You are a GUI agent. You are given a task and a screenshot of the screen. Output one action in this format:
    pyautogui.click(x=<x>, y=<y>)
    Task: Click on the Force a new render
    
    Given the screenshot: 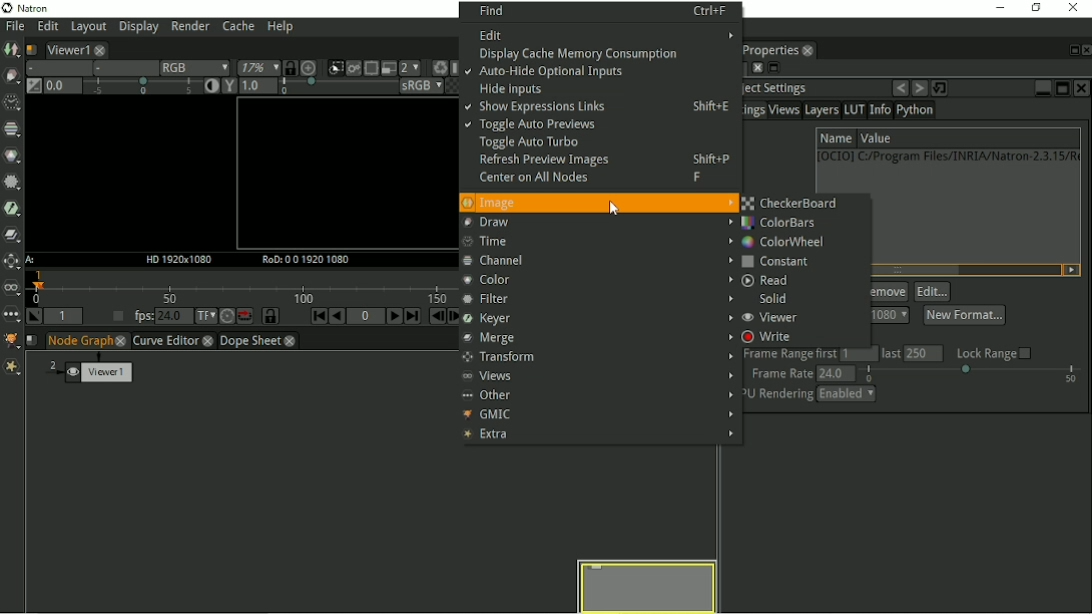 What is the action you would take?
    pyautogui.click(x=439, y=67)
    